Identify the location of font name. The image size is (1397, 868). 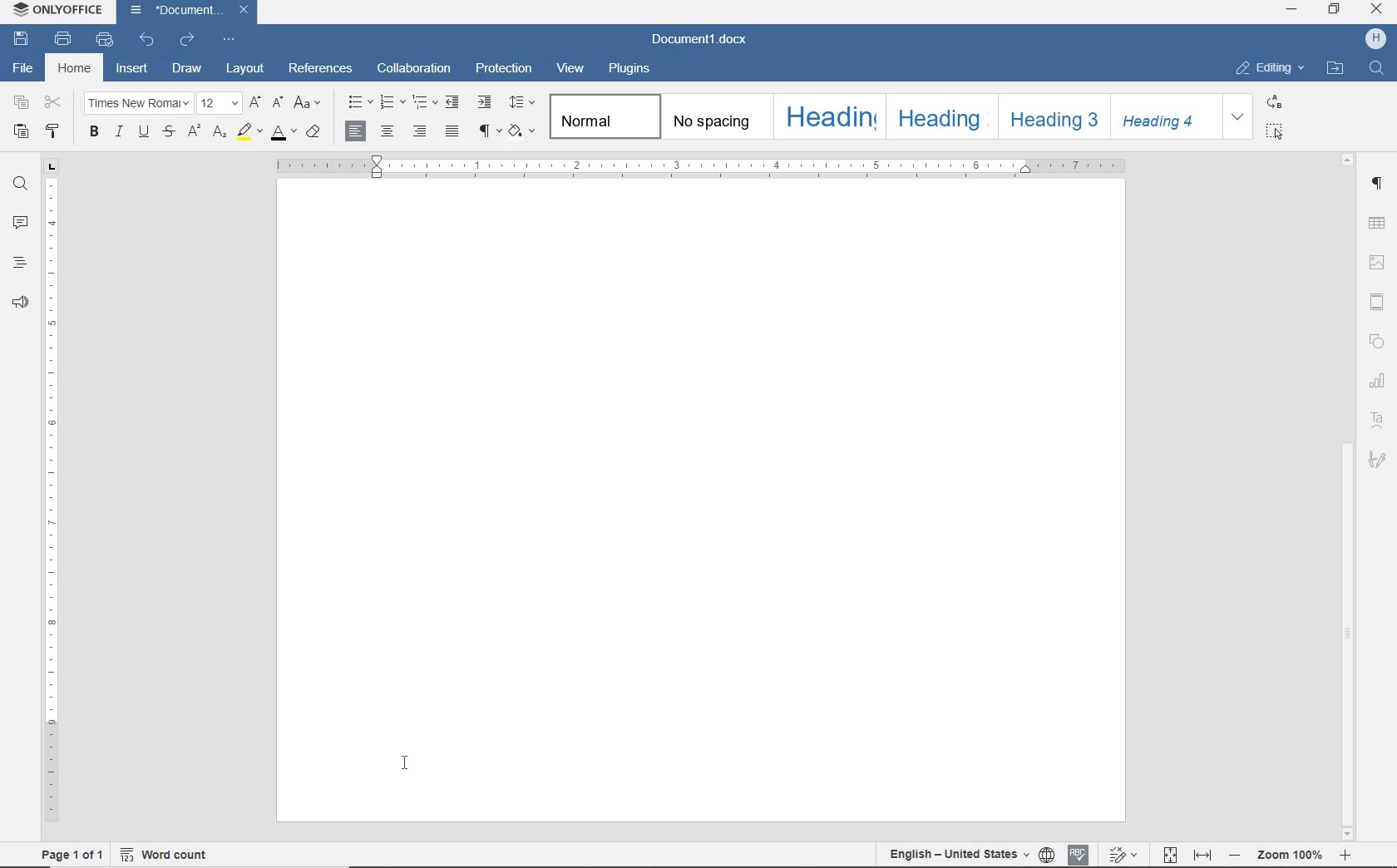
(139, 103).